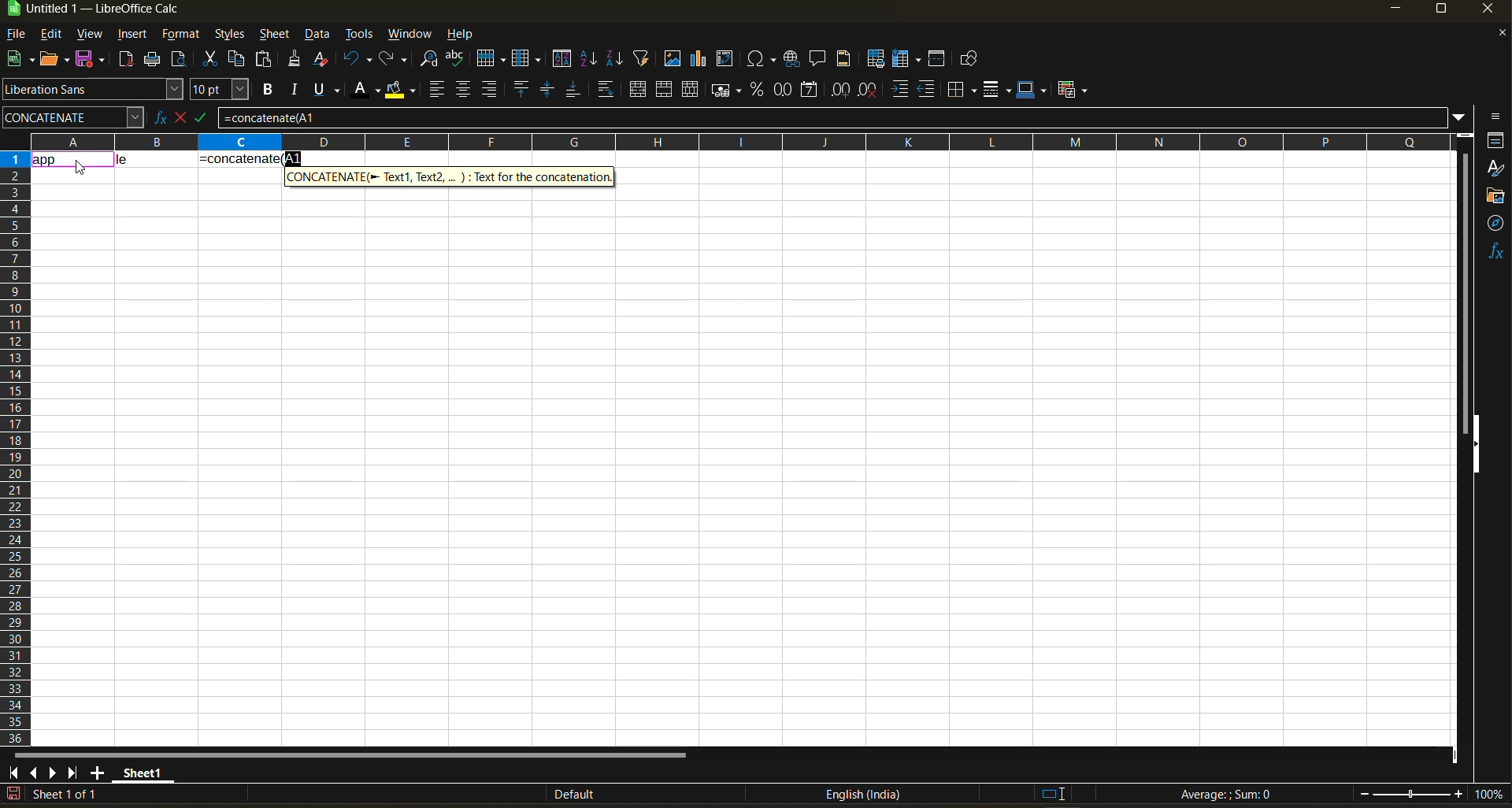  Describe the element at coordinates (18, 60) in the screenshot. I see `new` at that location.